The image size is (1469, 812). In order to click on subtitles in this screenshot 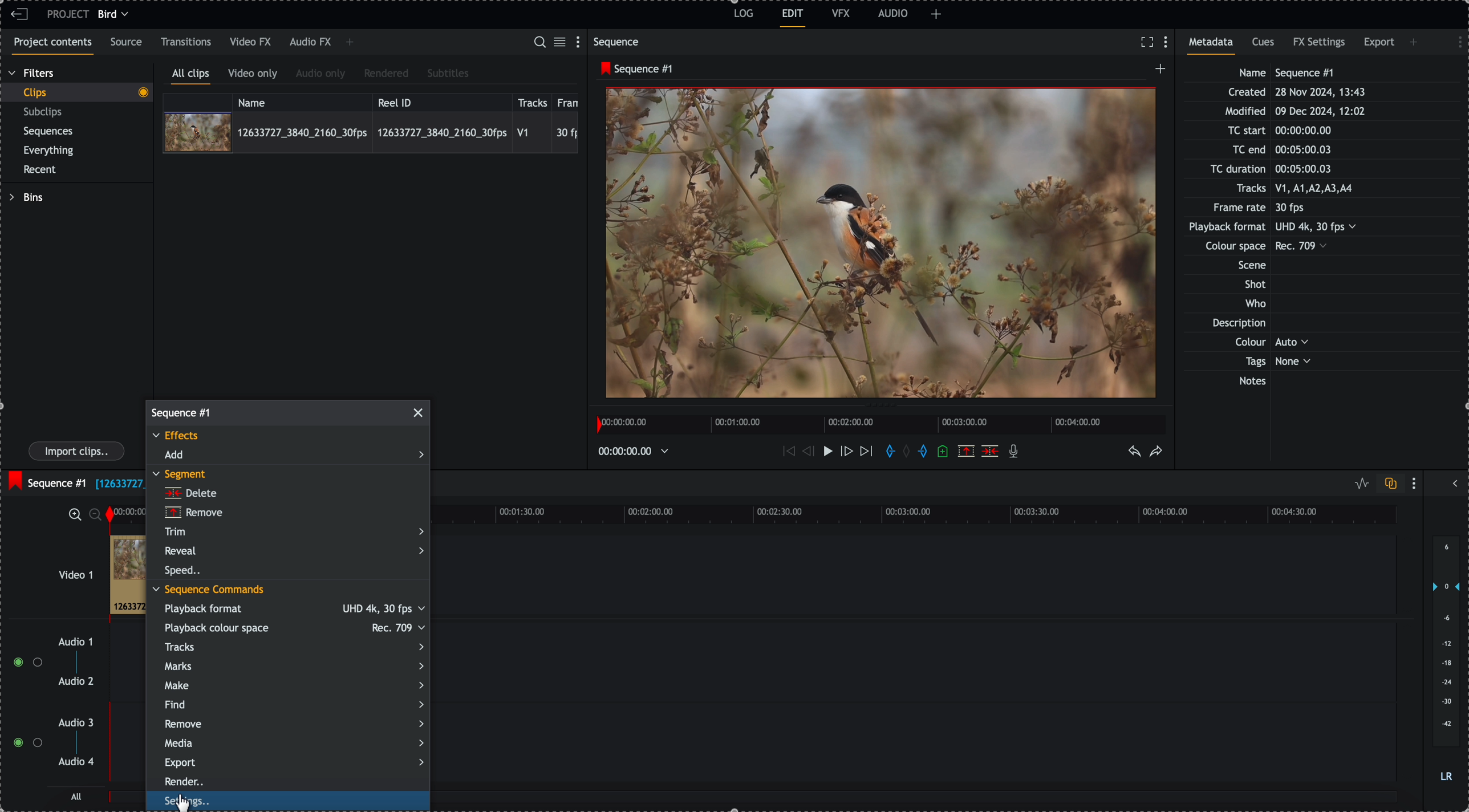, I will do `click(448, 74)`.